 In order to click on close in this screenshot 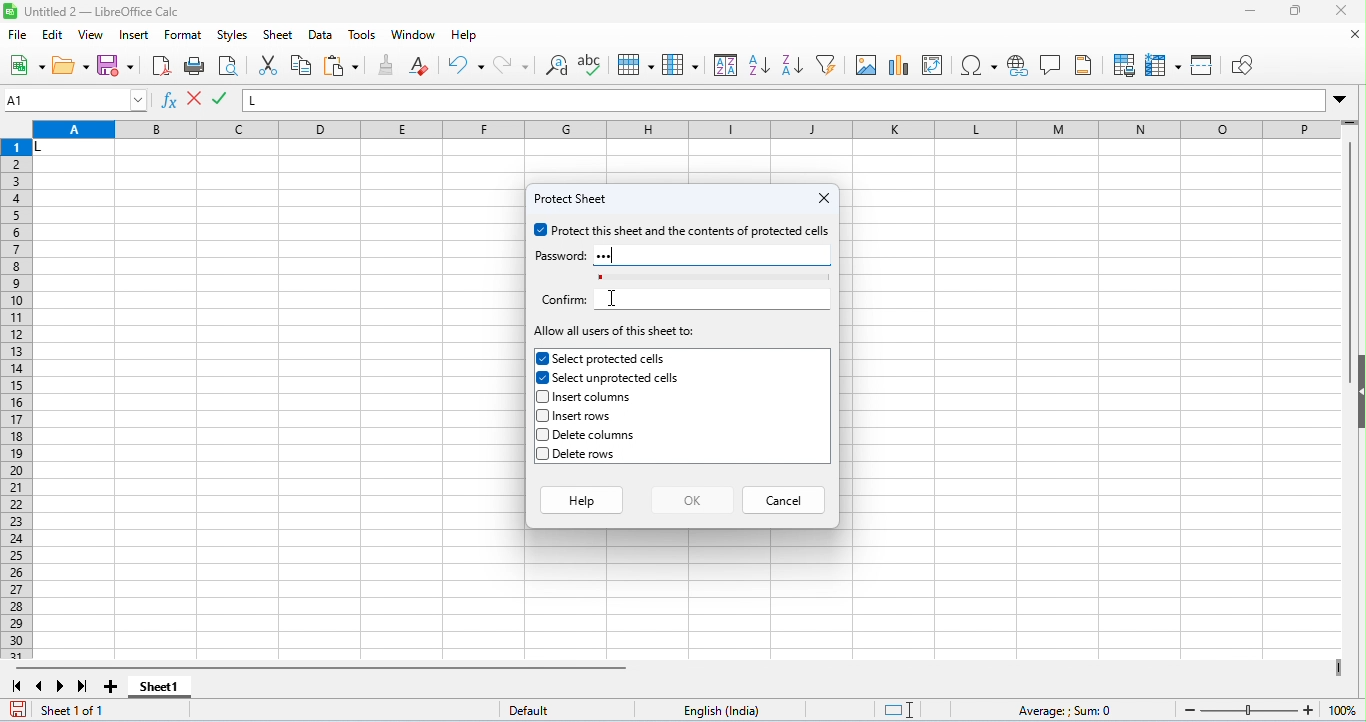, I will do `click(1339, 11)`.